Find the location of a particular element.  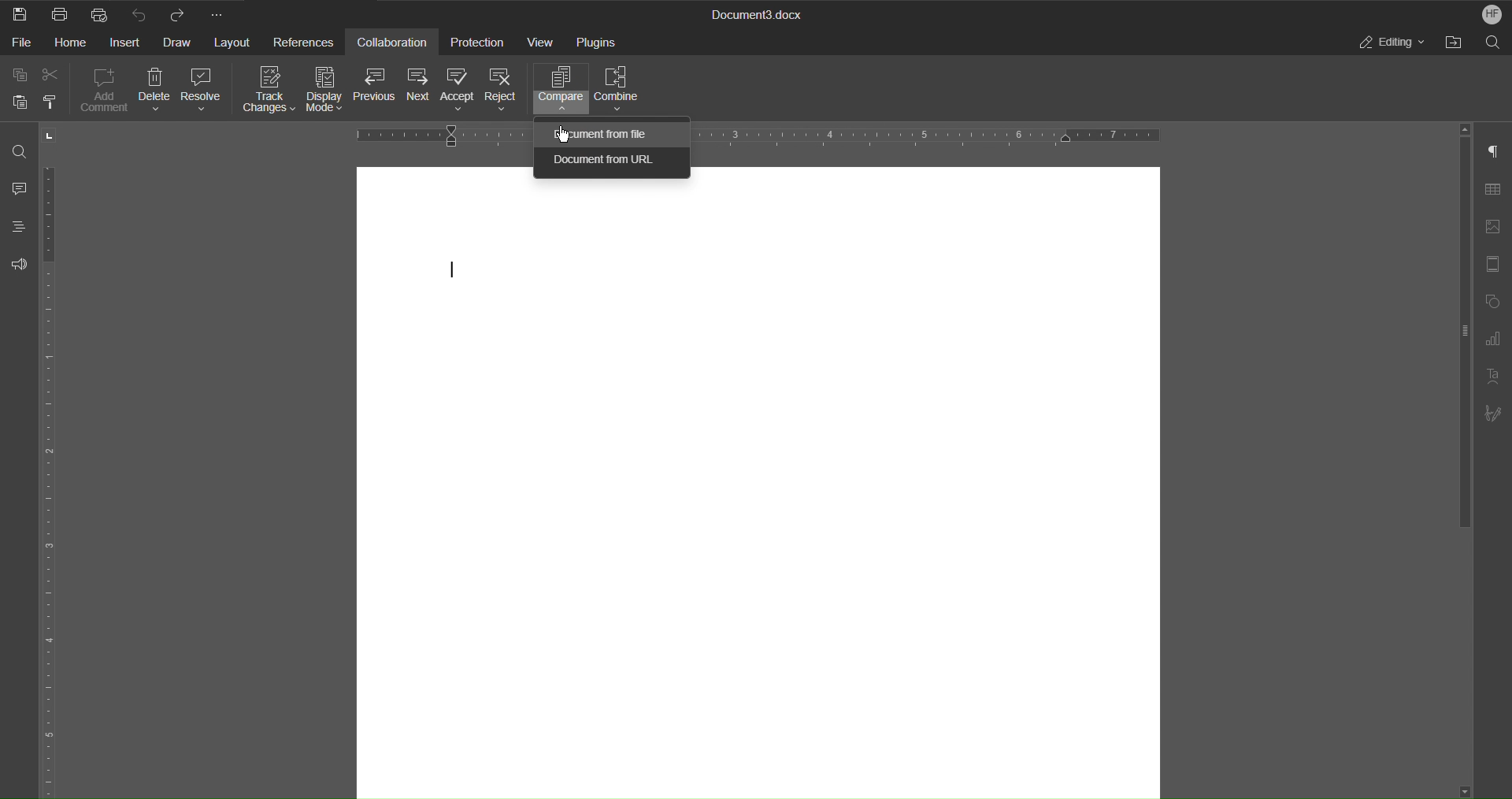

Insert is located at coordinates (128, 46).